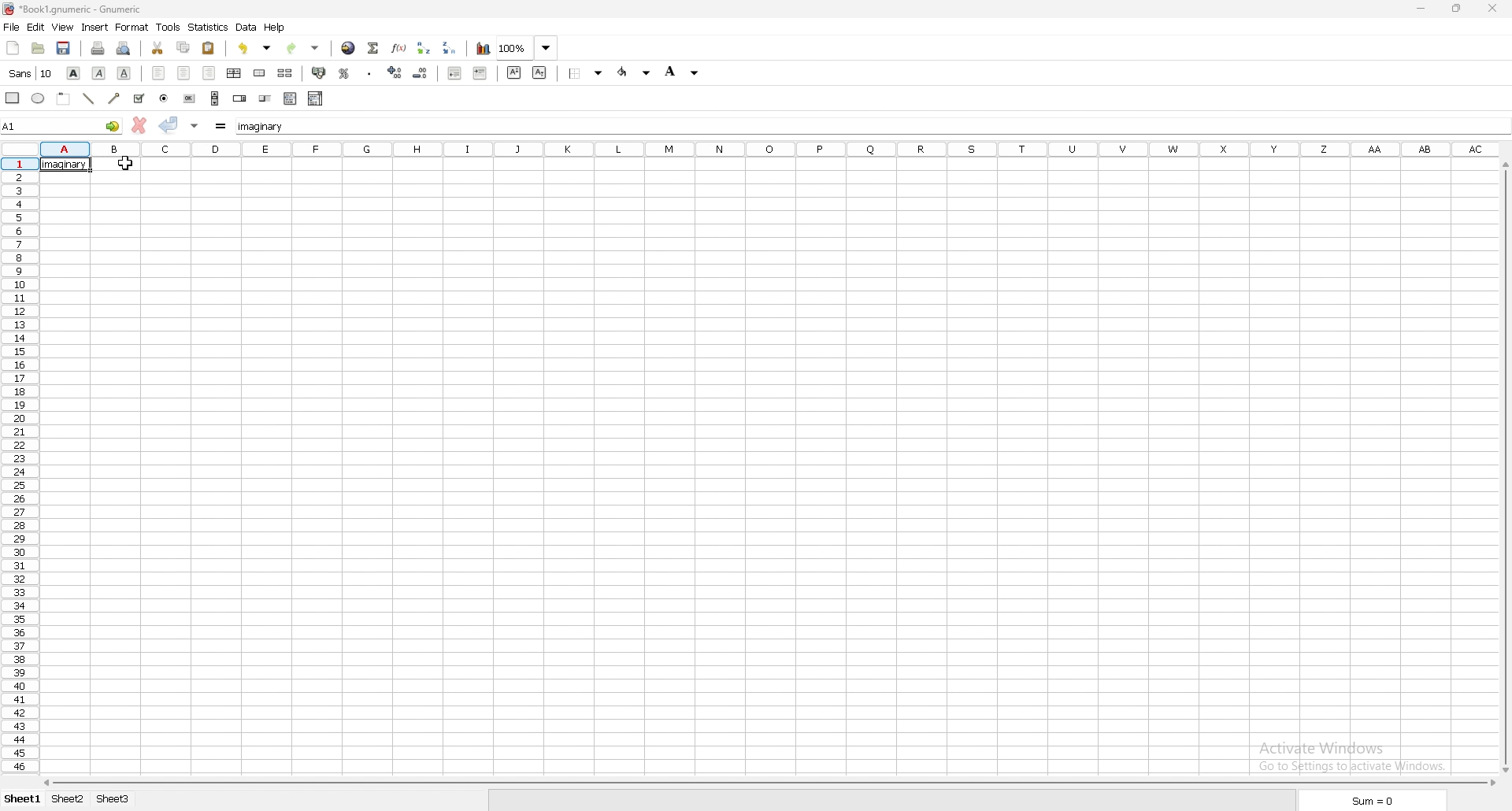 The width and height of the screenshot is (1512, 811). What do you see at coordinates (65, 165) in the screenshot?
I see `word` at bounding box center [65, 165].